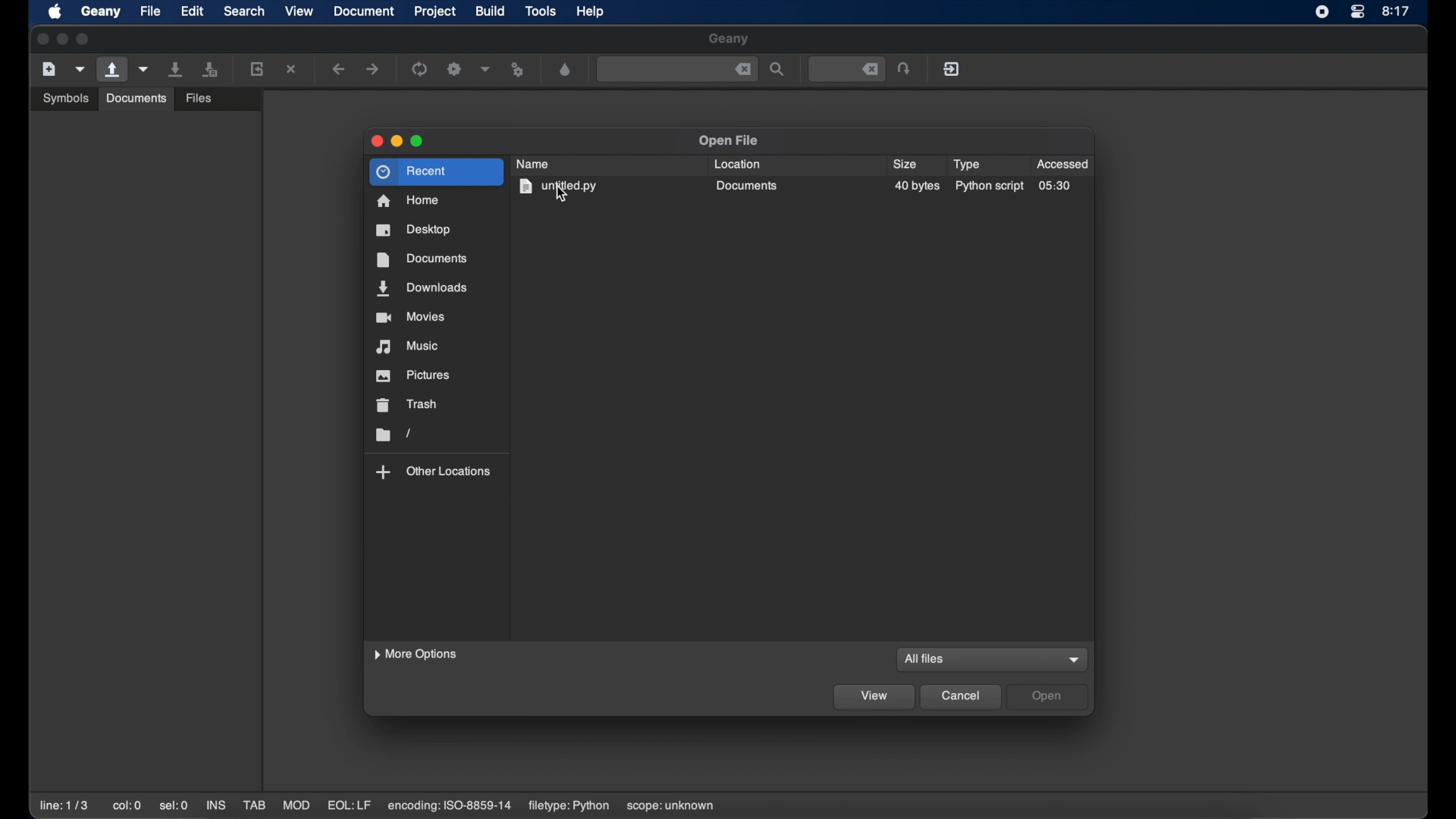  What do you see at coordinates (927, 658) in the screenshot?
I see `all files` at bounding box center [927, 658].